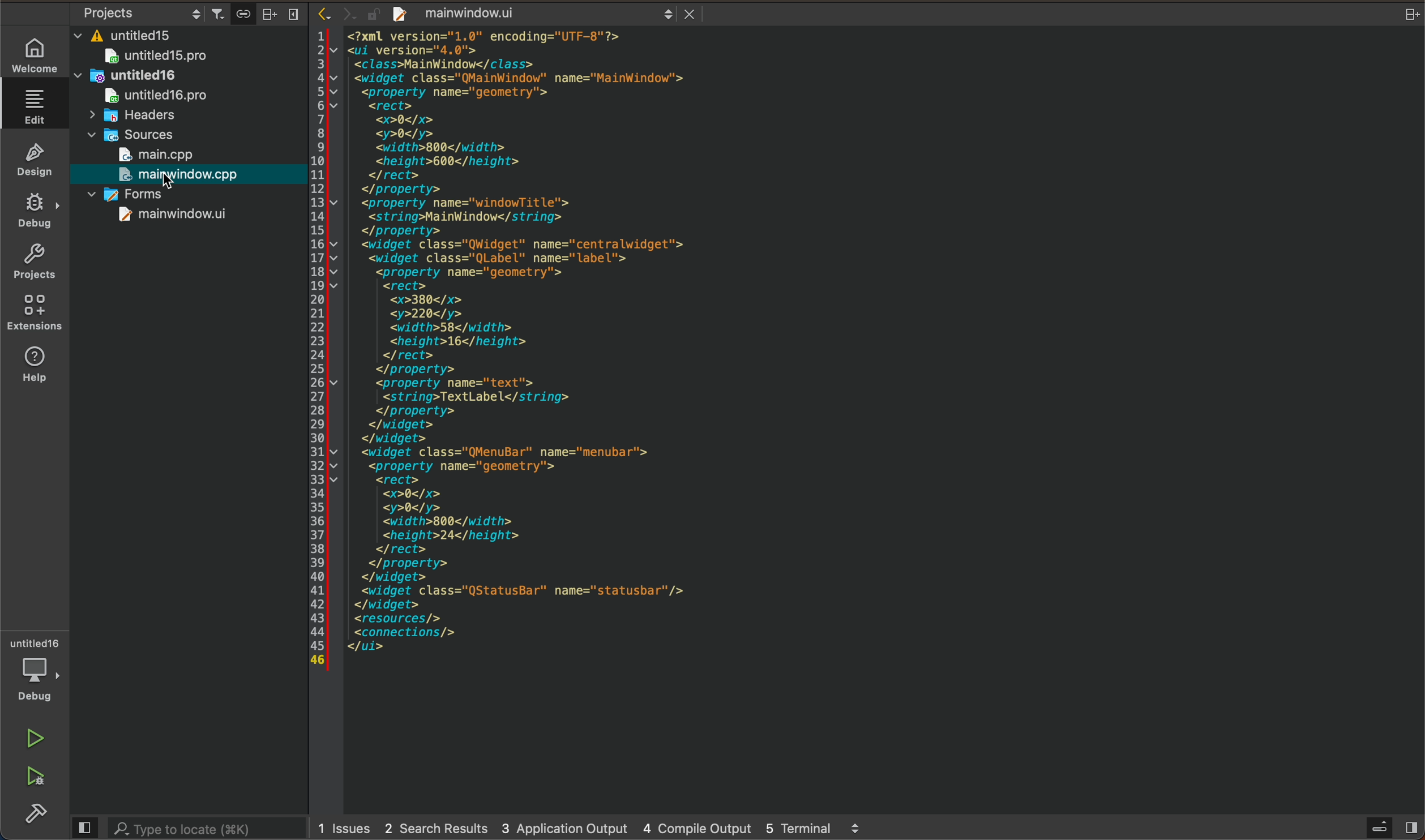 Image resolution: width=1425 pixels, height=840 pixels. Describe the element at coordinates (567, 132) in the screenshot. I see `1 <?xml version="1.0" encoding="UTF-8"7?>
2 v <ui version="4.0">

3) <class>MainWindow</class>

4 v | <widget class="QMainWindow" name="MainWindow">
5v <property name='"geometry">

6 v <rect>

7 <x>0</x>

8 <y>0</y>

9 <width>800</width>

10 <height>600</height>

11 </rect>

12 </property>

13 v <property name="windowTitle">

14 <string>MainWindow</string>

15 </property>` at that location.